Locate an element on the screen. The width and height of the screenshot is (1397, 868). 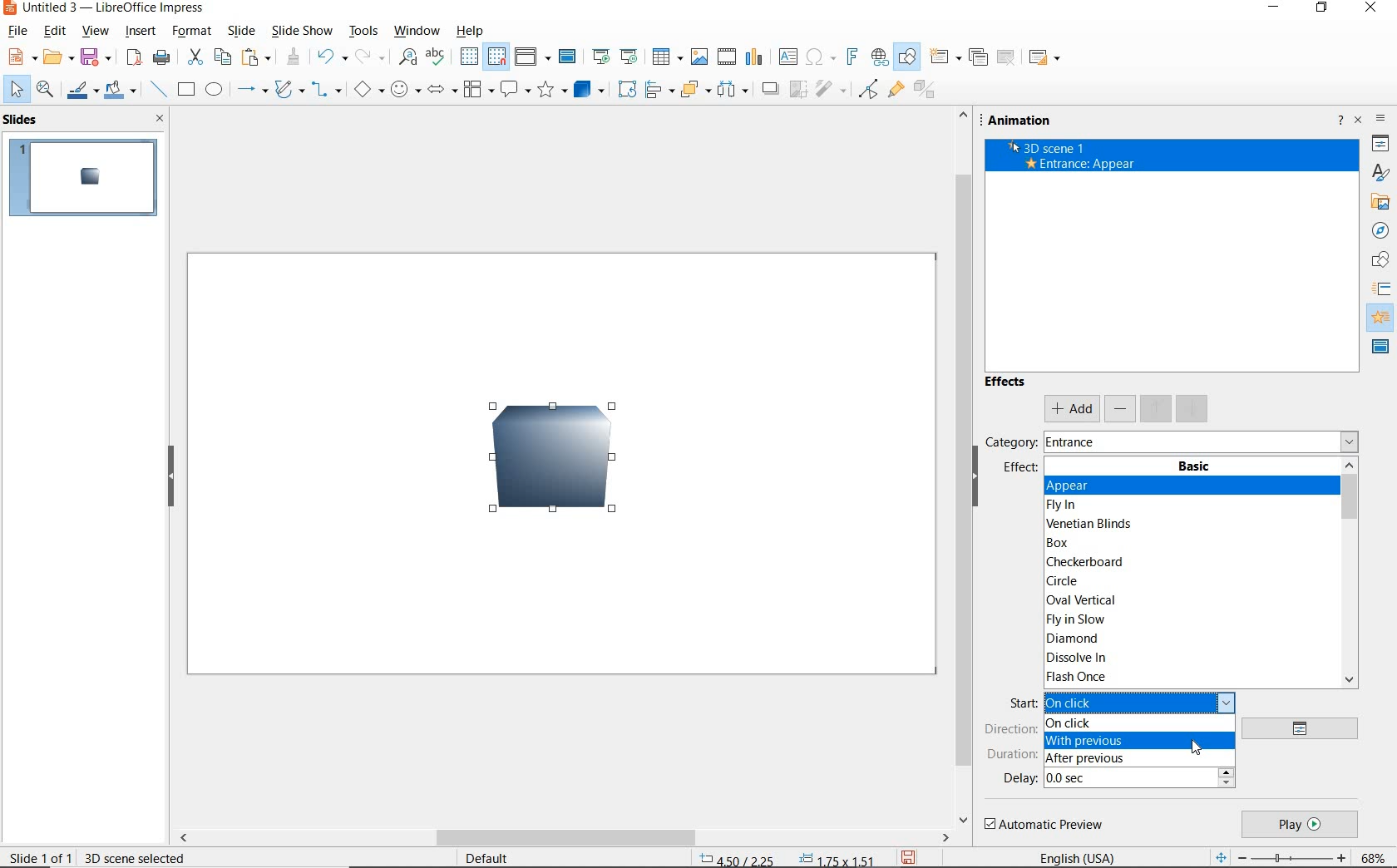
insert image is located at coordinates (702, 57).